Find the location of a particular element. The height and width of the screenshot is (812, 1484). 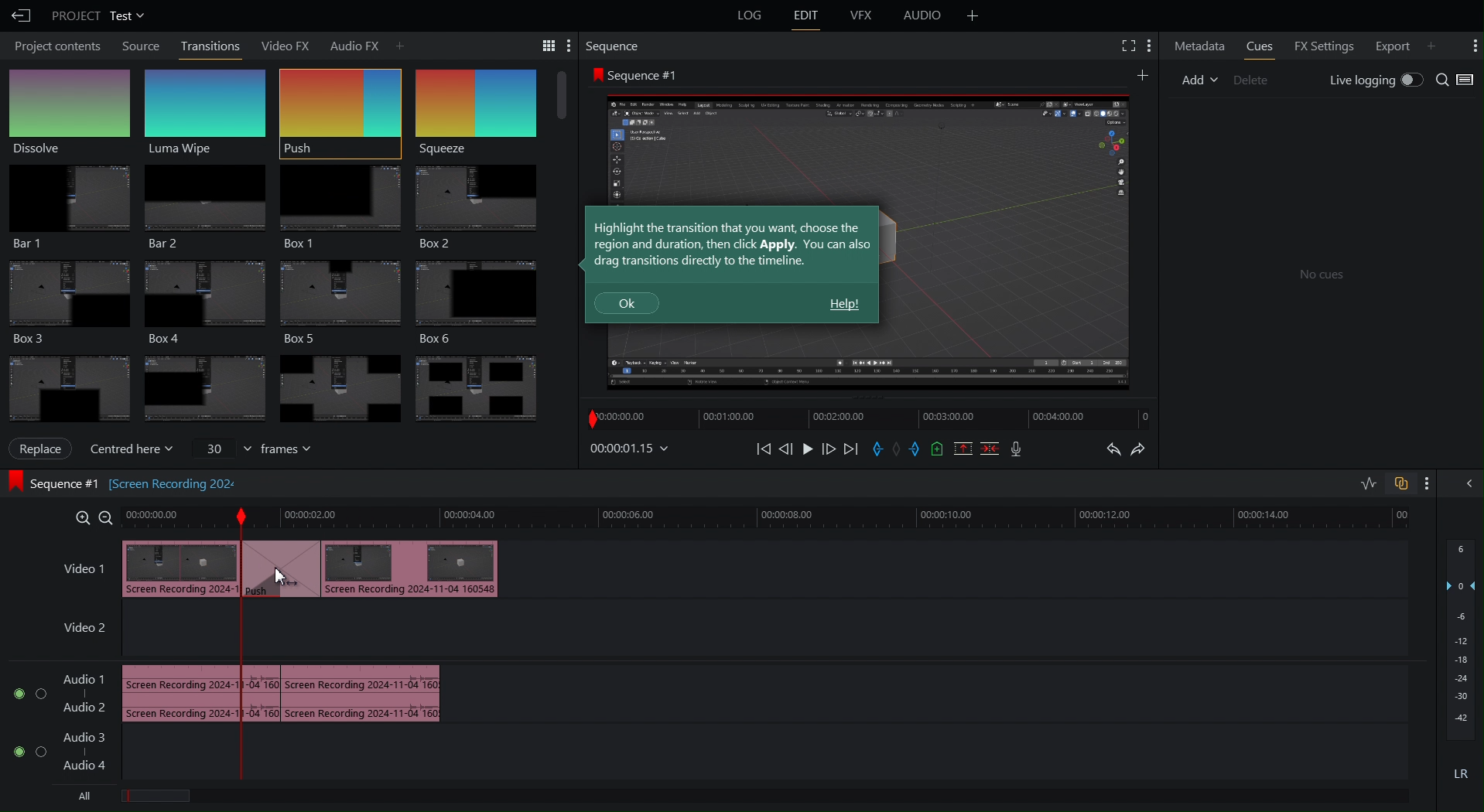

Box 4 is located at coordinates (200, 301).